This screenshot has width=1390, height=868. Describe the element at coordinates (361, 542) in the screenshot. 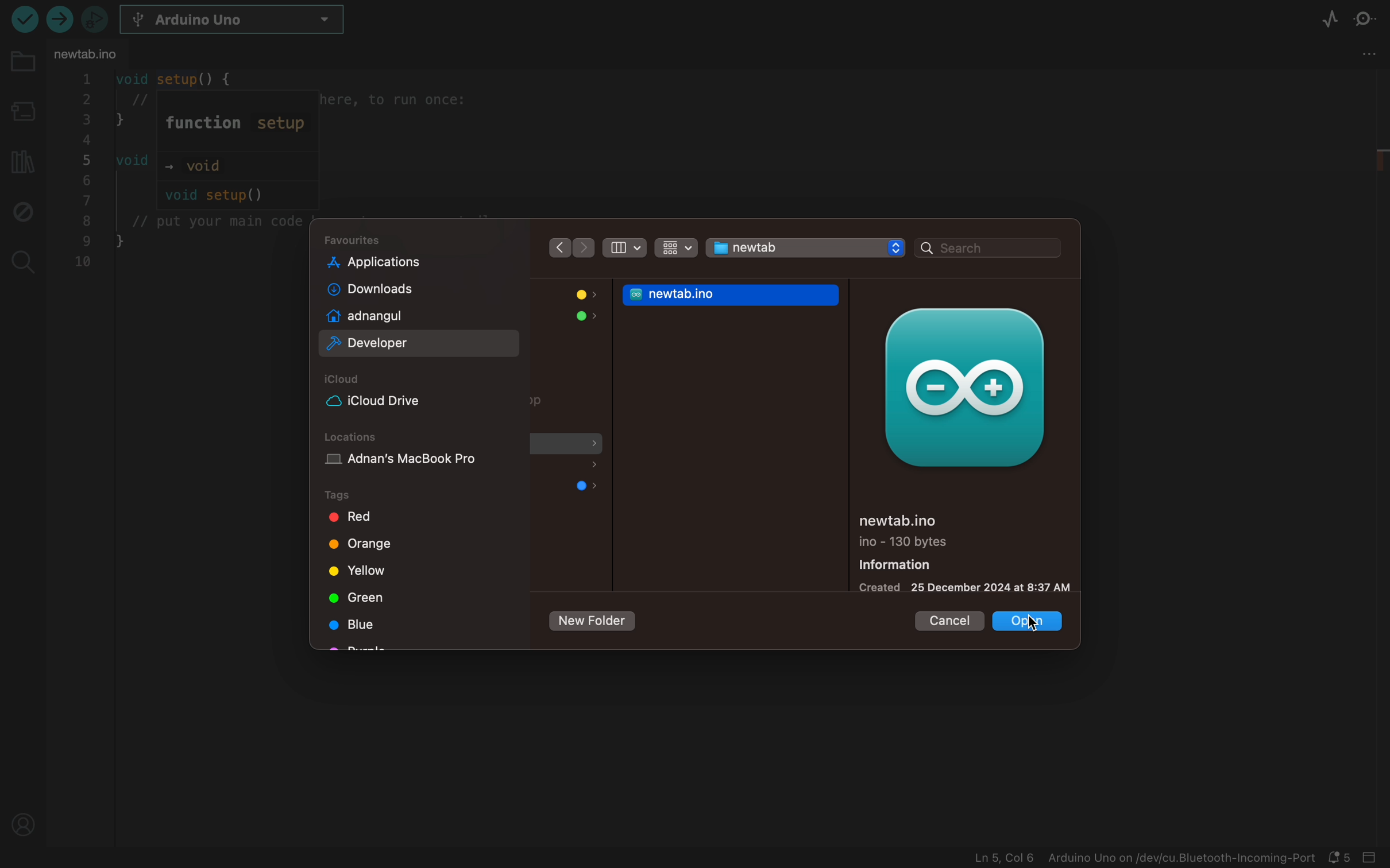

I see `tags` at that location.